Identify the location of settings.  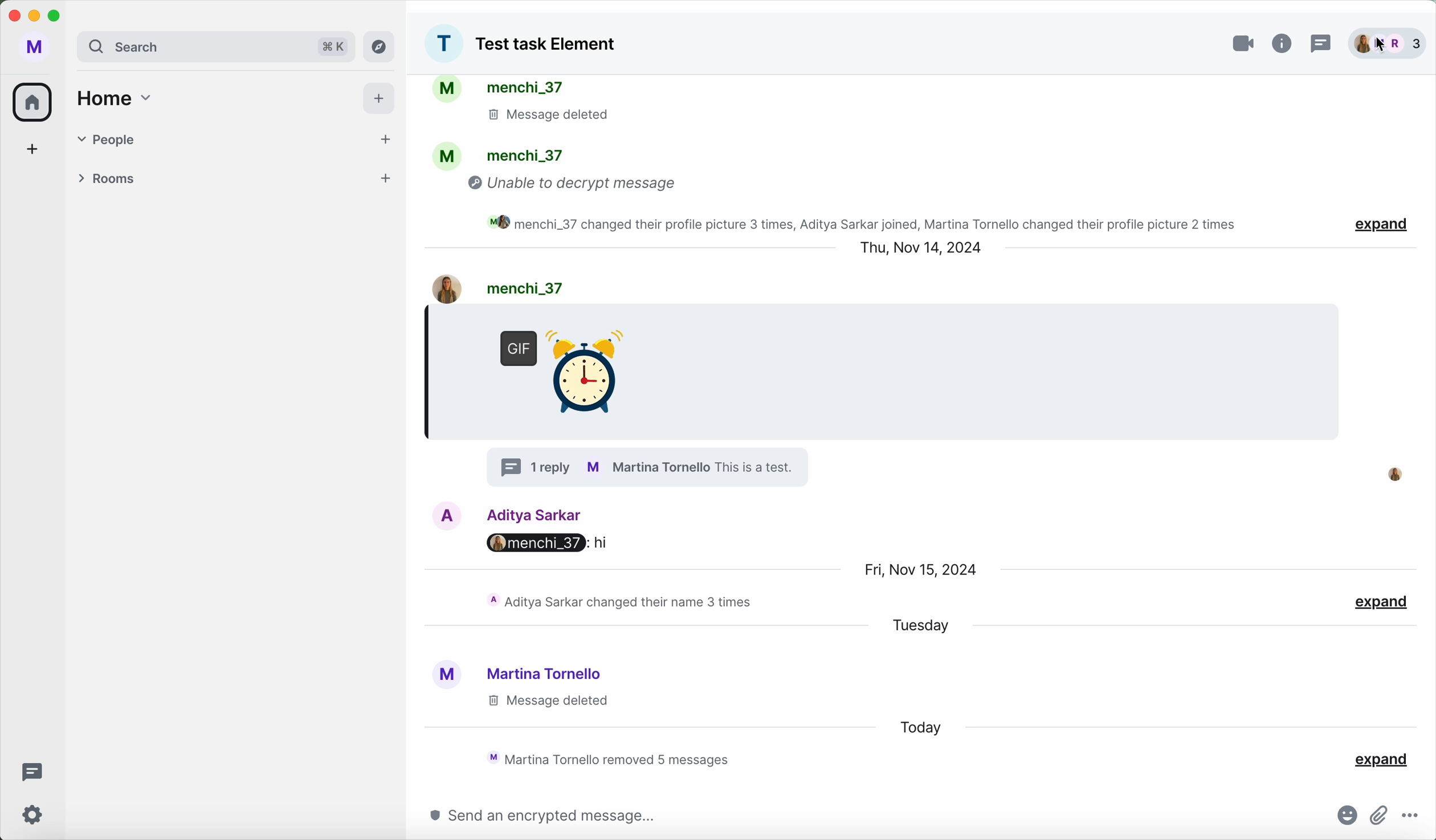
(35, 814).